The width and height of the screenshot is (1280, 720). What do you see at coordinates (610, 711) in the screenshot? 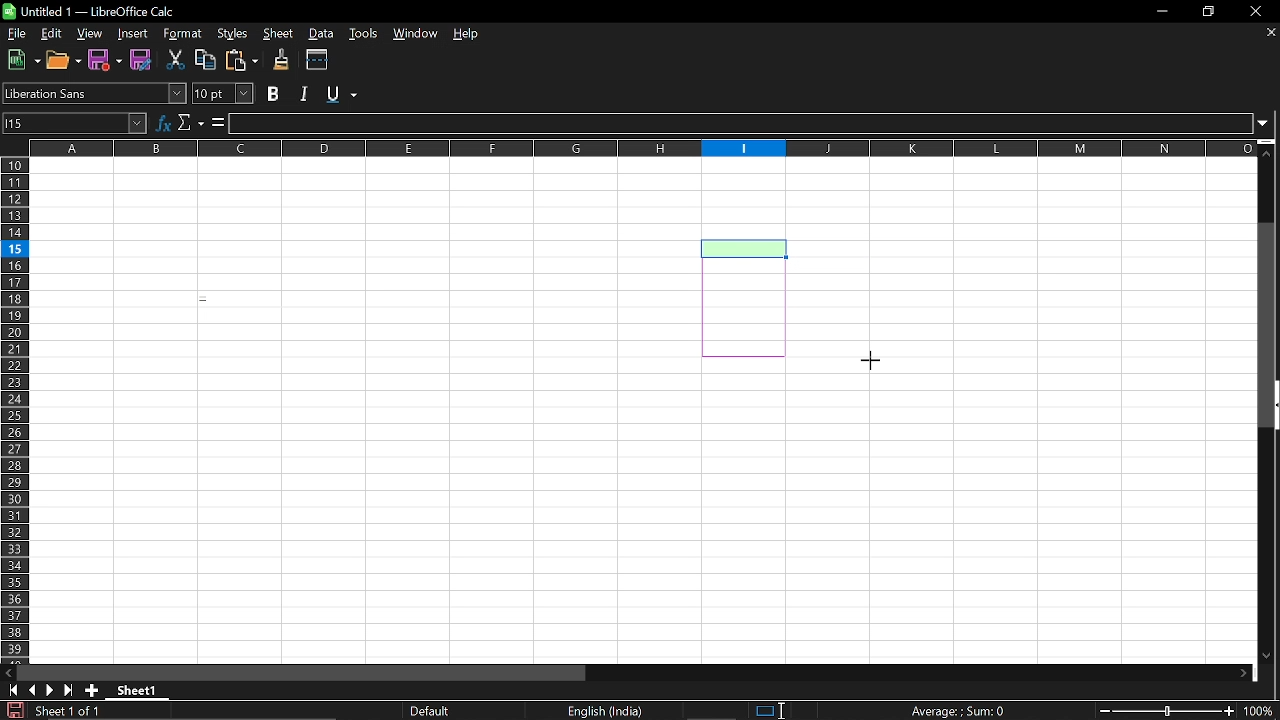
I see `Language` at bounding box center [610, 711].